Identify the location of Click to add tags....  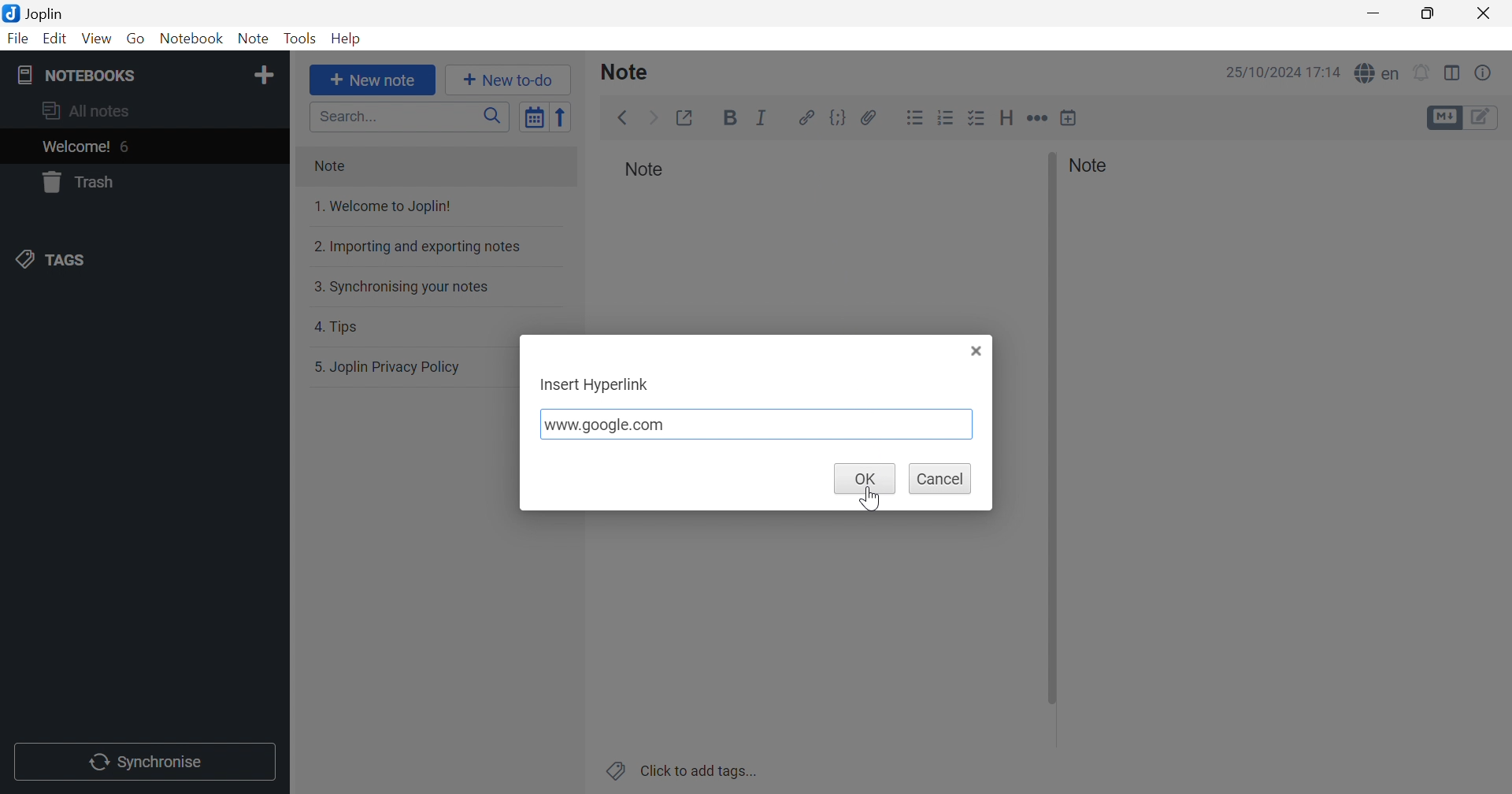
(680, 770).